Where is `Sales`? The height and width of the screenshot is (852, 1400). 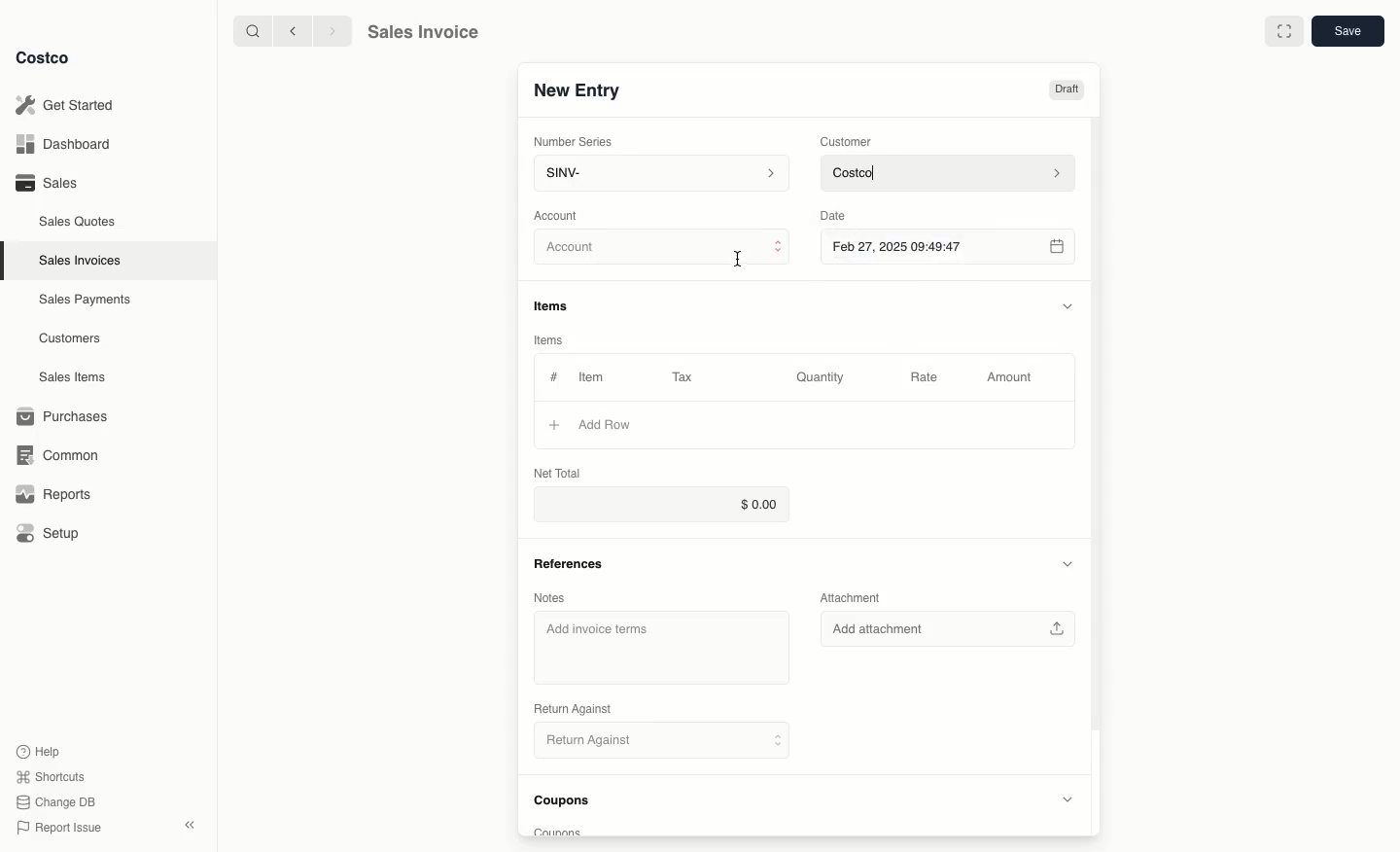
Sales is located at coordinates (45, 182).